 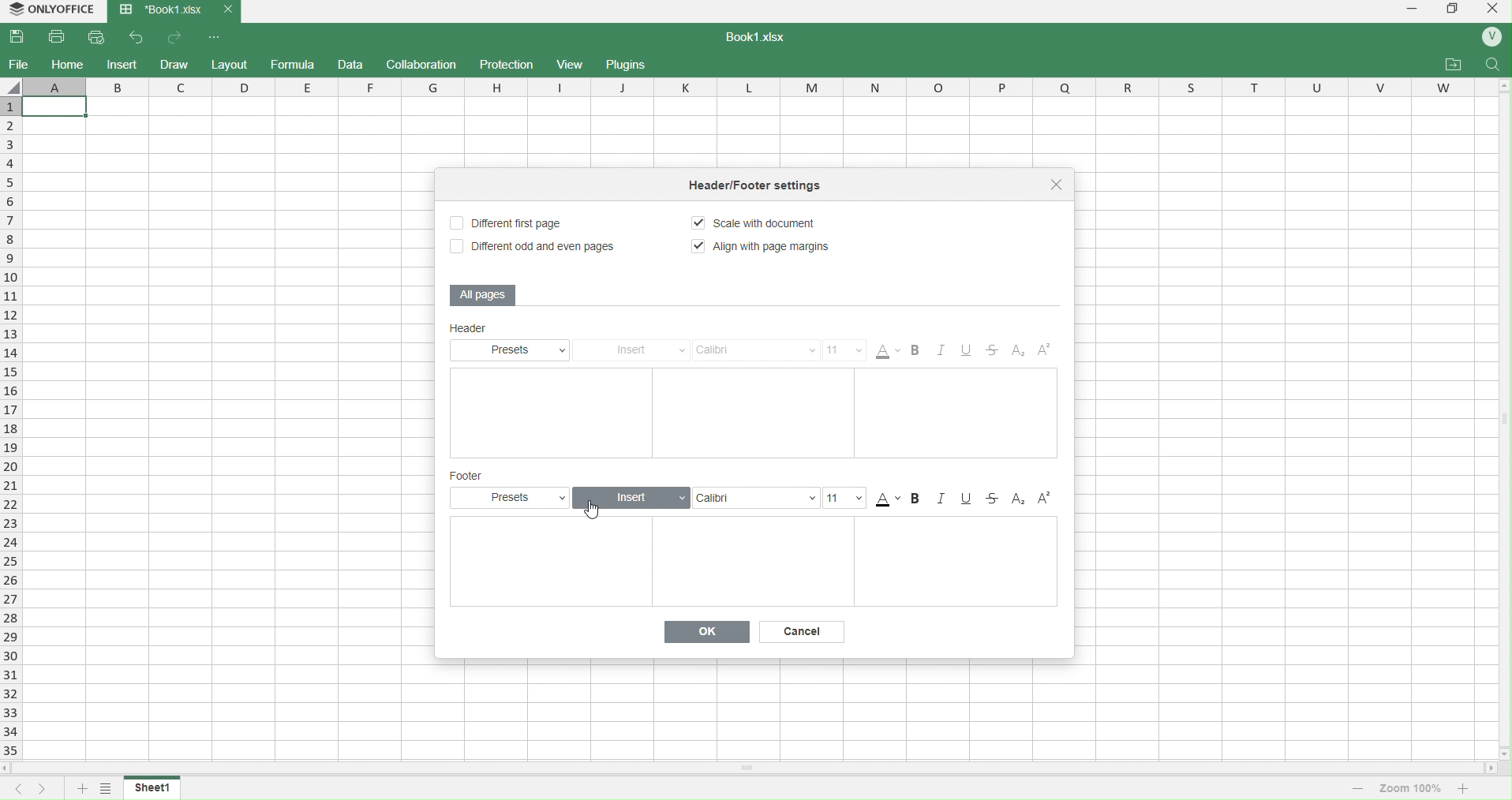 I want to click on Calibri, so click(x=757, y=350).